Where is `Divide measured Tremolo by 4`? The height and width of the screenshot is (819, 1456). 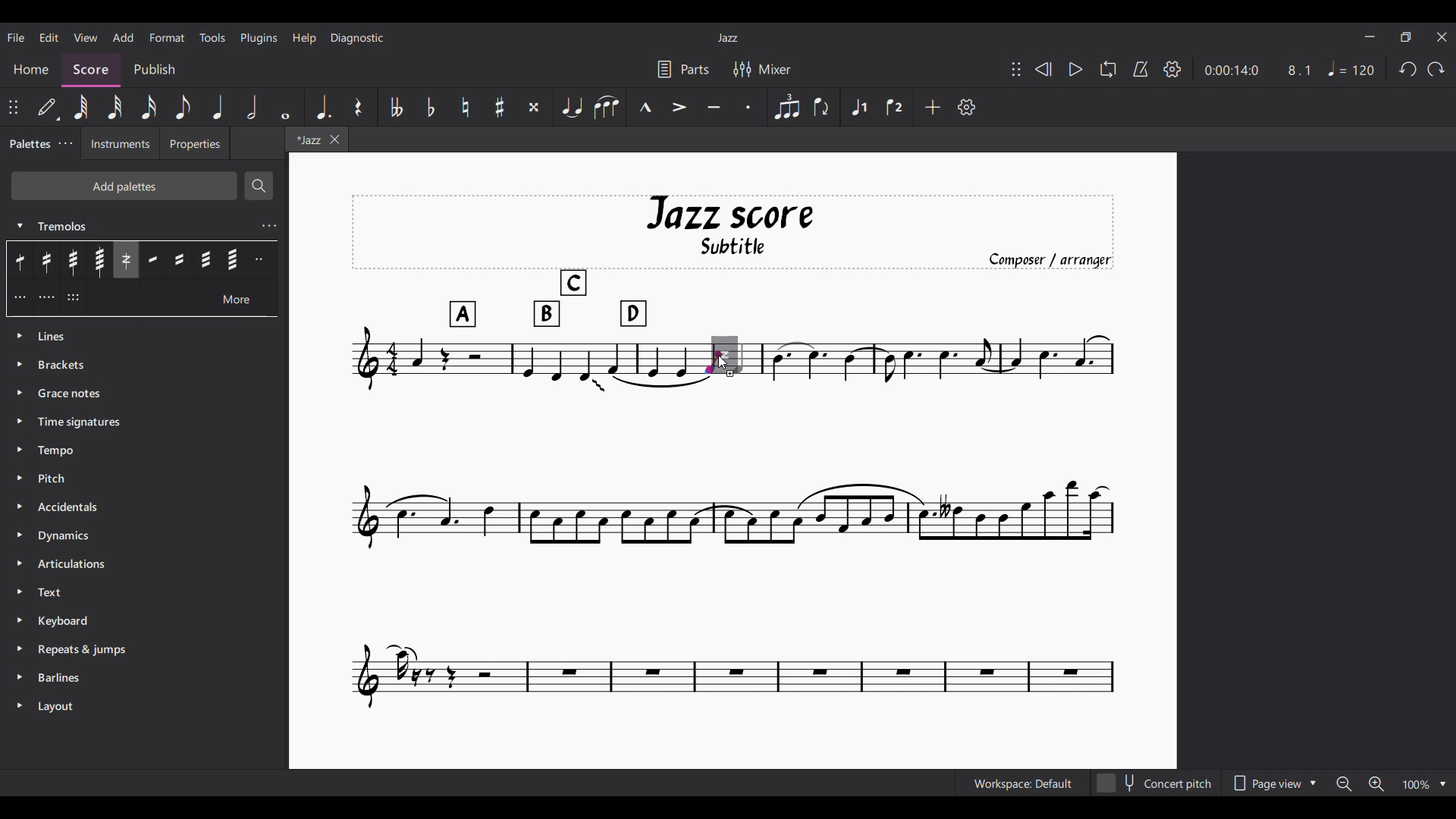
Divide measured Tremolo by 4 is located at coordinates (46, 297).